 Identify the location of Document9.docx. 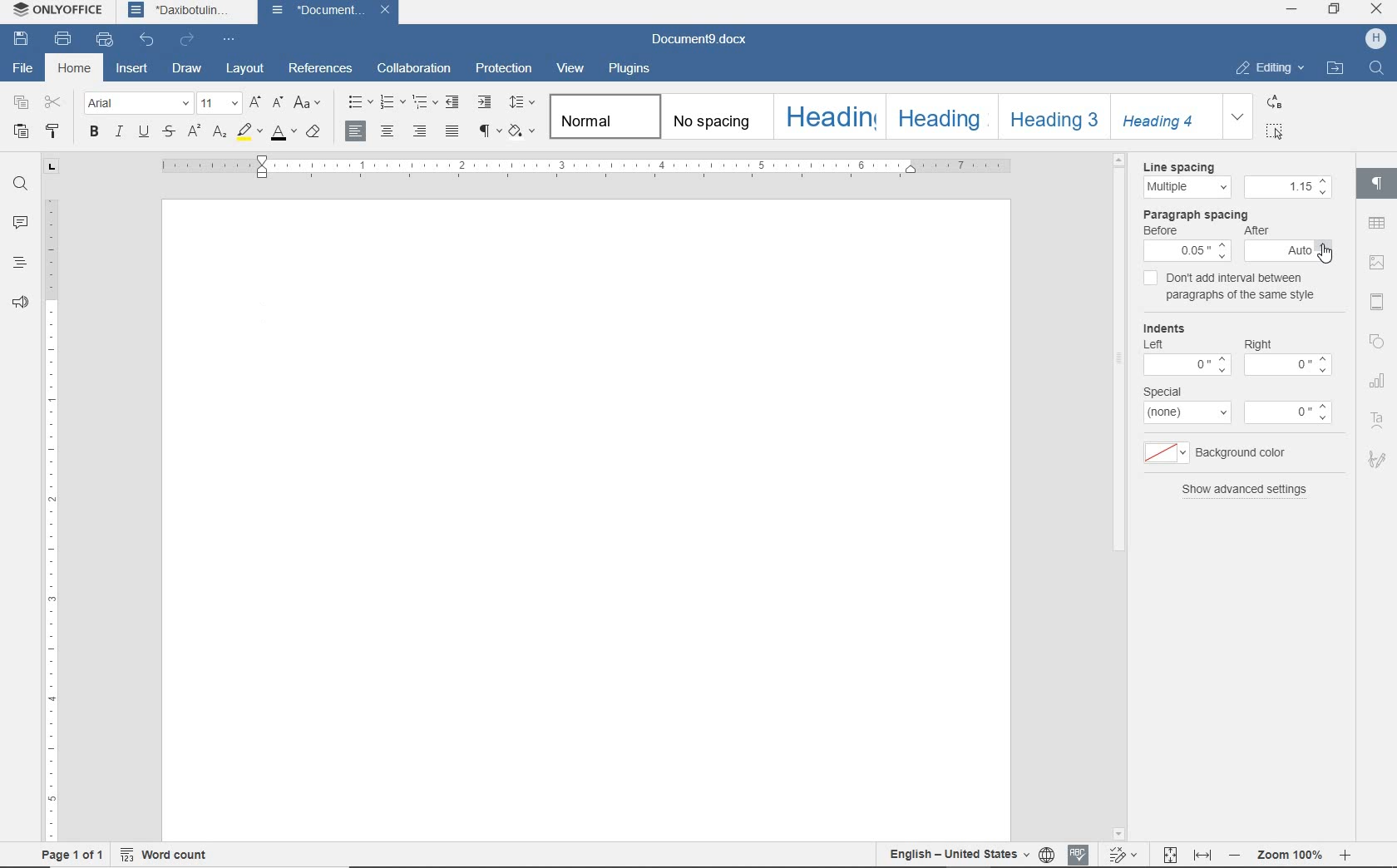
(698, 40).